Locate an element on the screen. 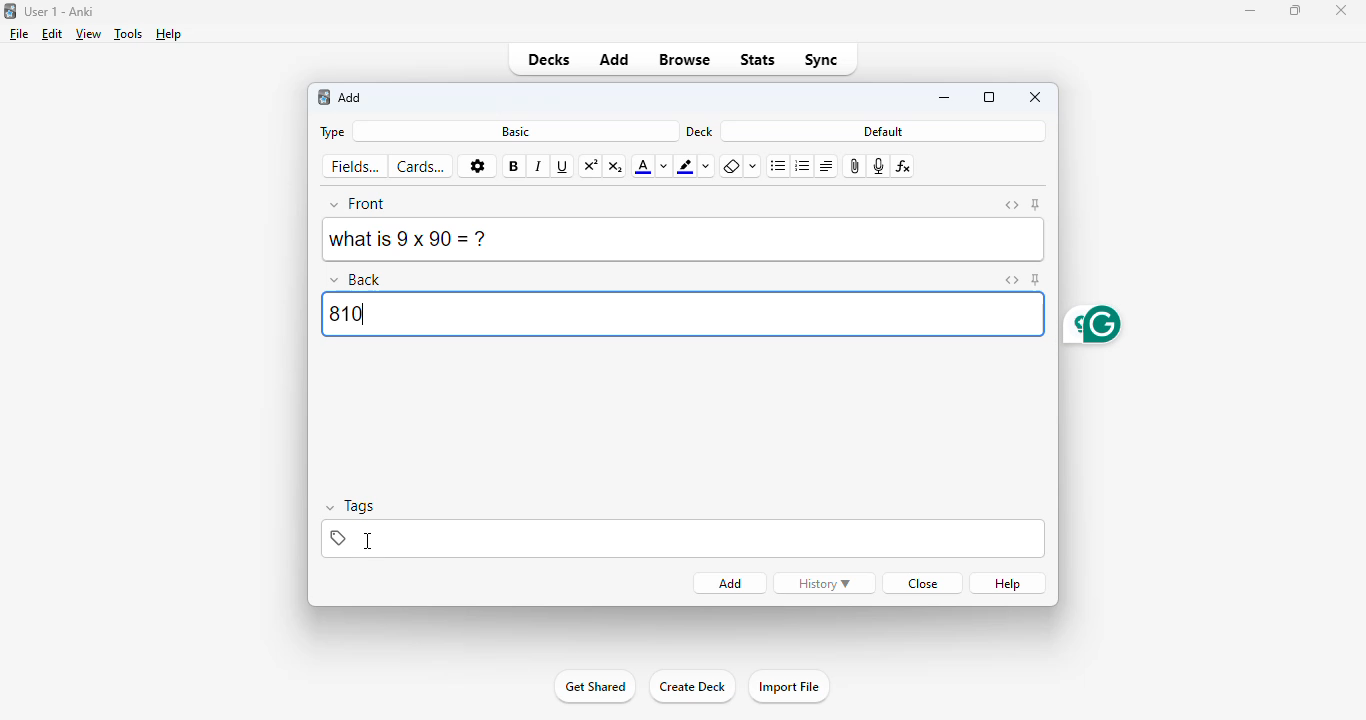  get started is located at coordinates (595, 686).